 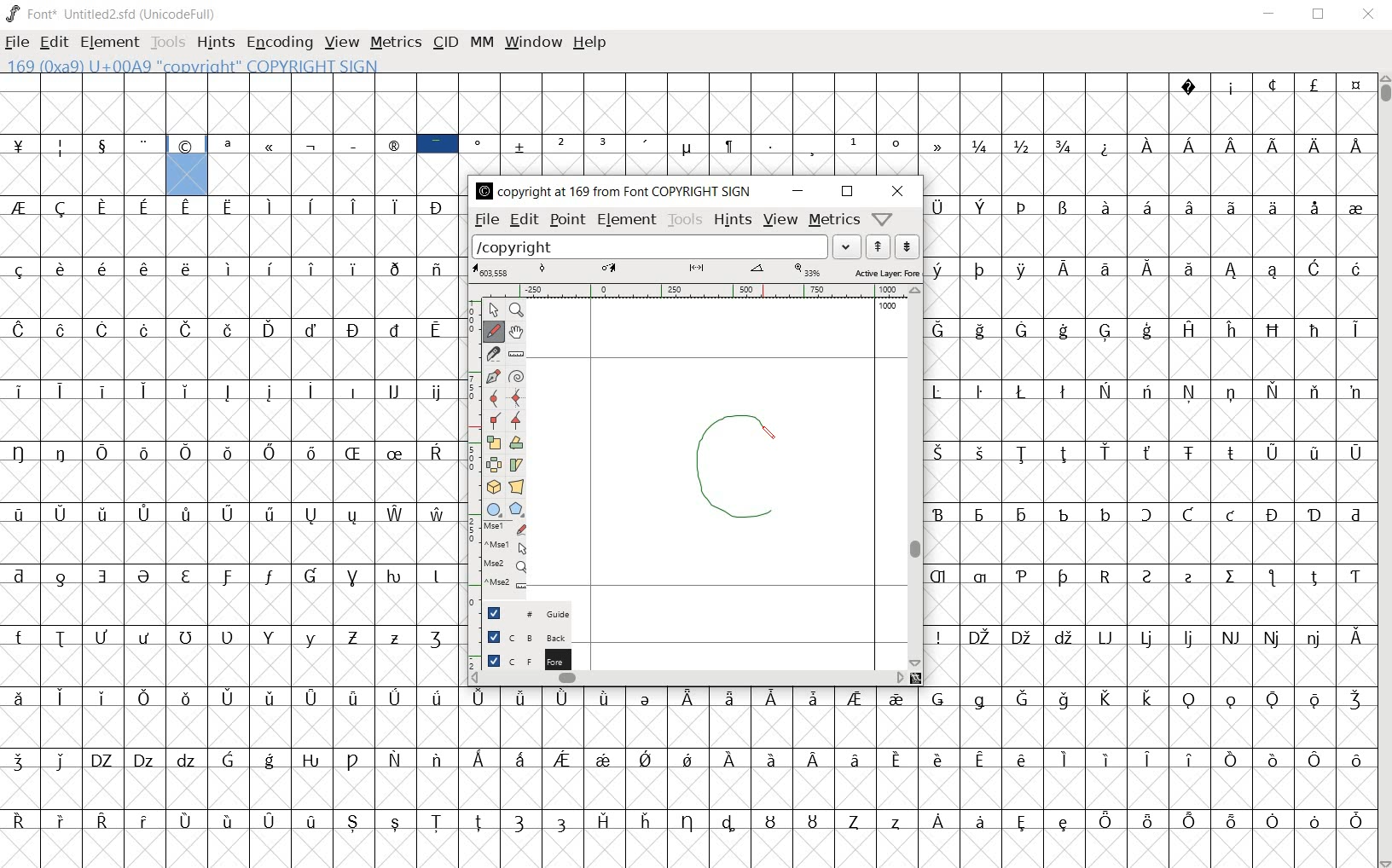 What do you see at coordinates (188, 163) in the screenshot?
I see `169 (0x9a) U+00A9 "copyright" COPYRIGHT SIGN` at bounding box center [188, 163].